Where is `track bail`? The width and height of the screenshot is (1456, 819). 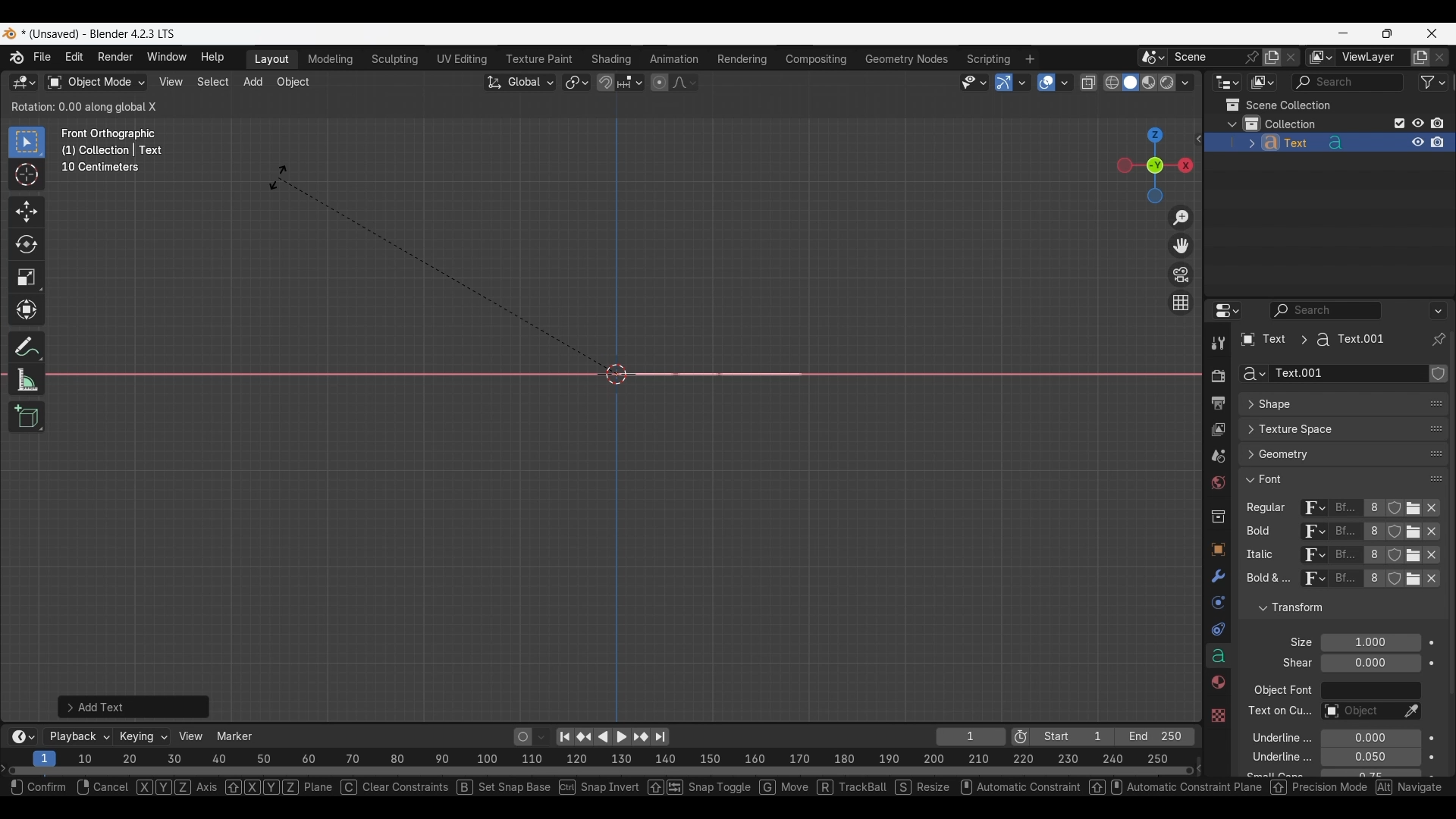
track bail is located at coordinates (851, 789).